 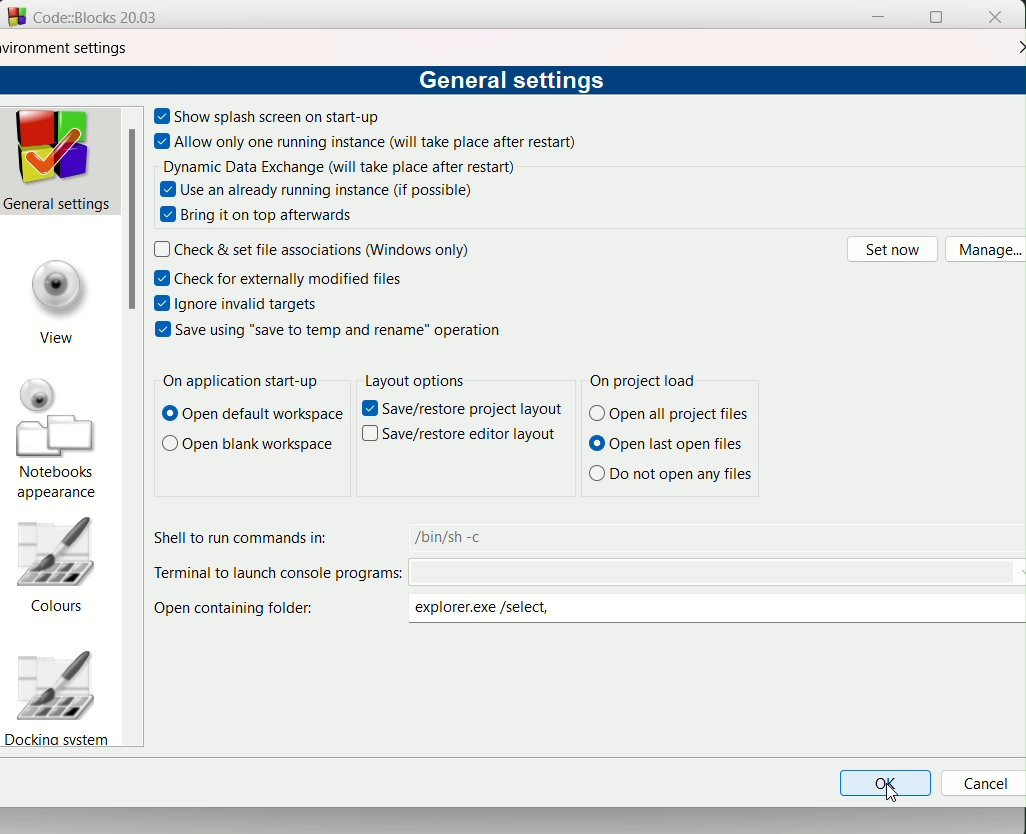 I want to click on text, so click(x=325, y=250).